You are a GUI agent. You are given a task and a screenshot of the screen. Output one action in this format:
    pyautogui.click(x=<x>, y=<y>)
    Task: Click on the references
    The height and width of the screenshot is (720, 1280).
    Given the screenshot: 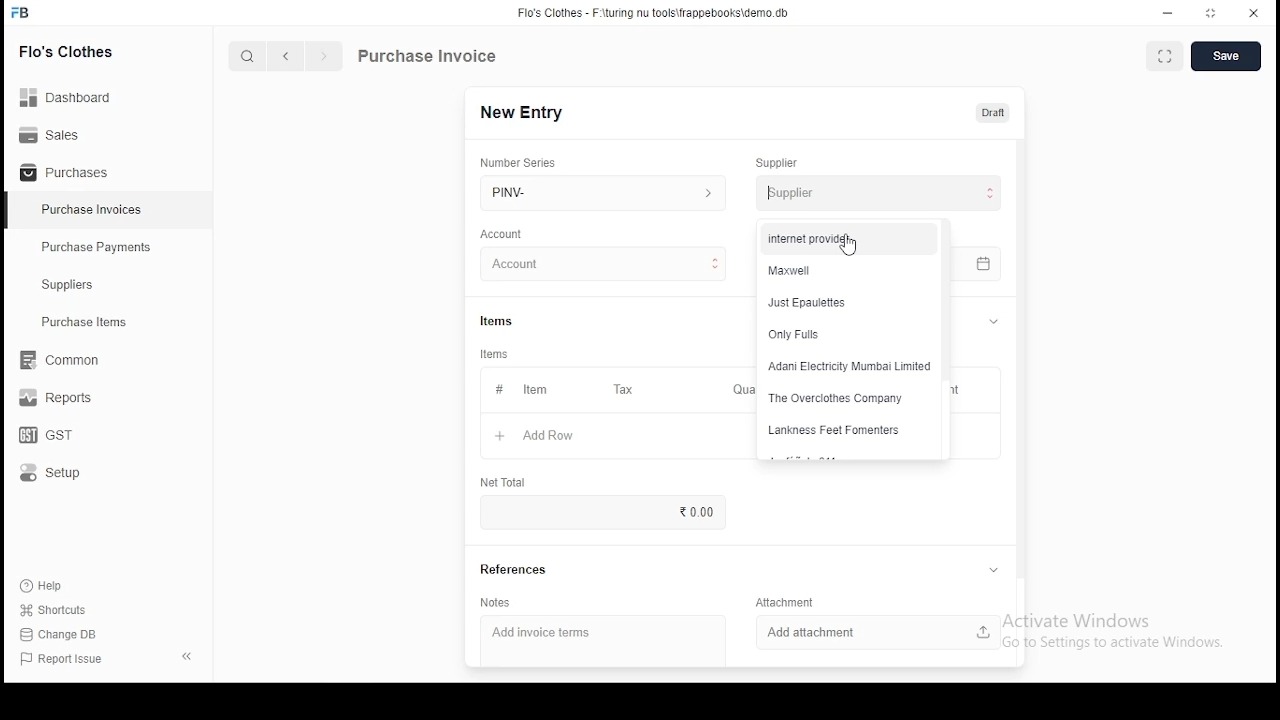 What is the action you would take?
    pyautogui.click(x=515, y=570)
    